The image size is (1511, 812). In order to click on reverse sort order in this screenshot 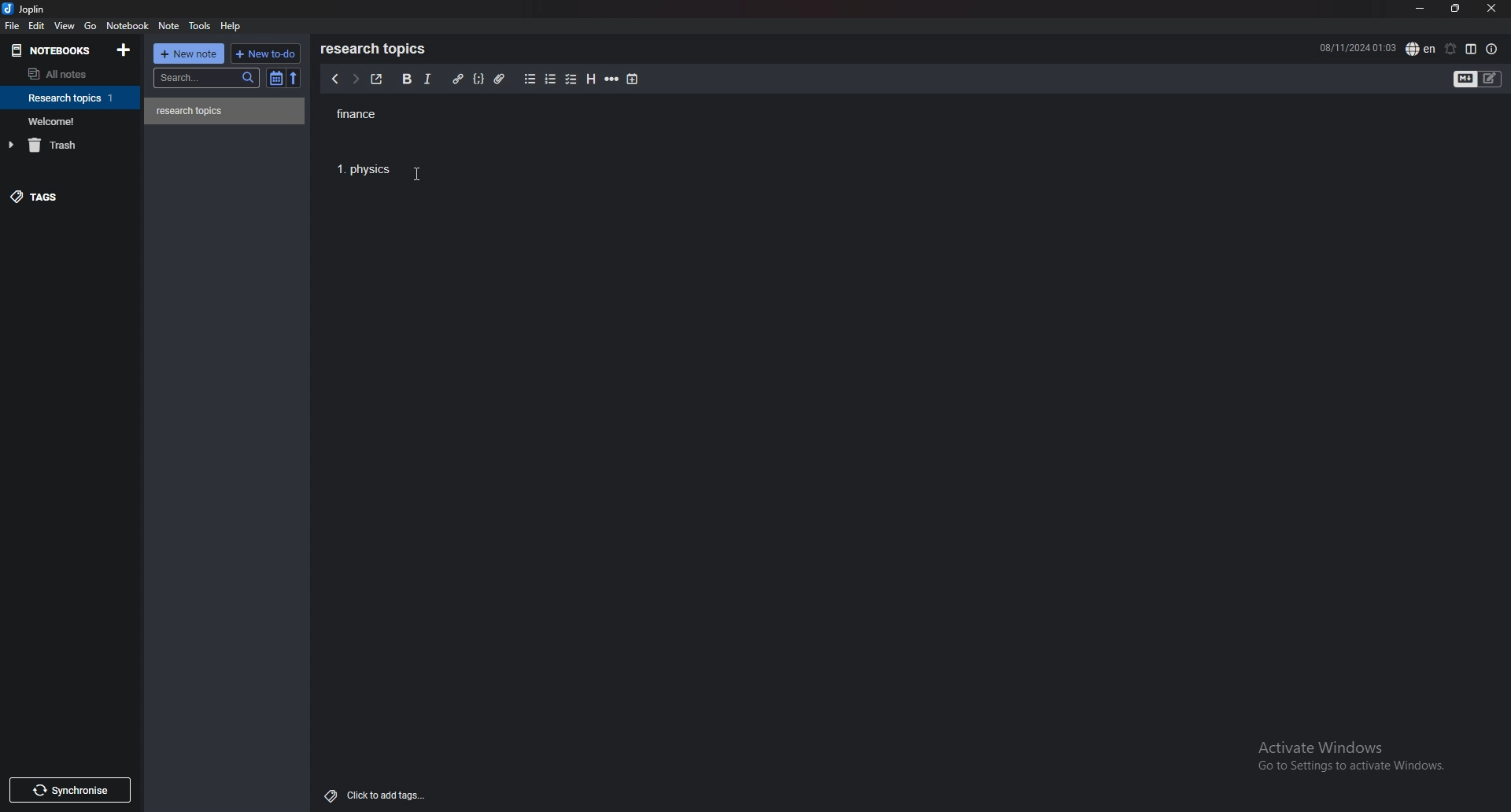, I will do `click(293, 78)`.